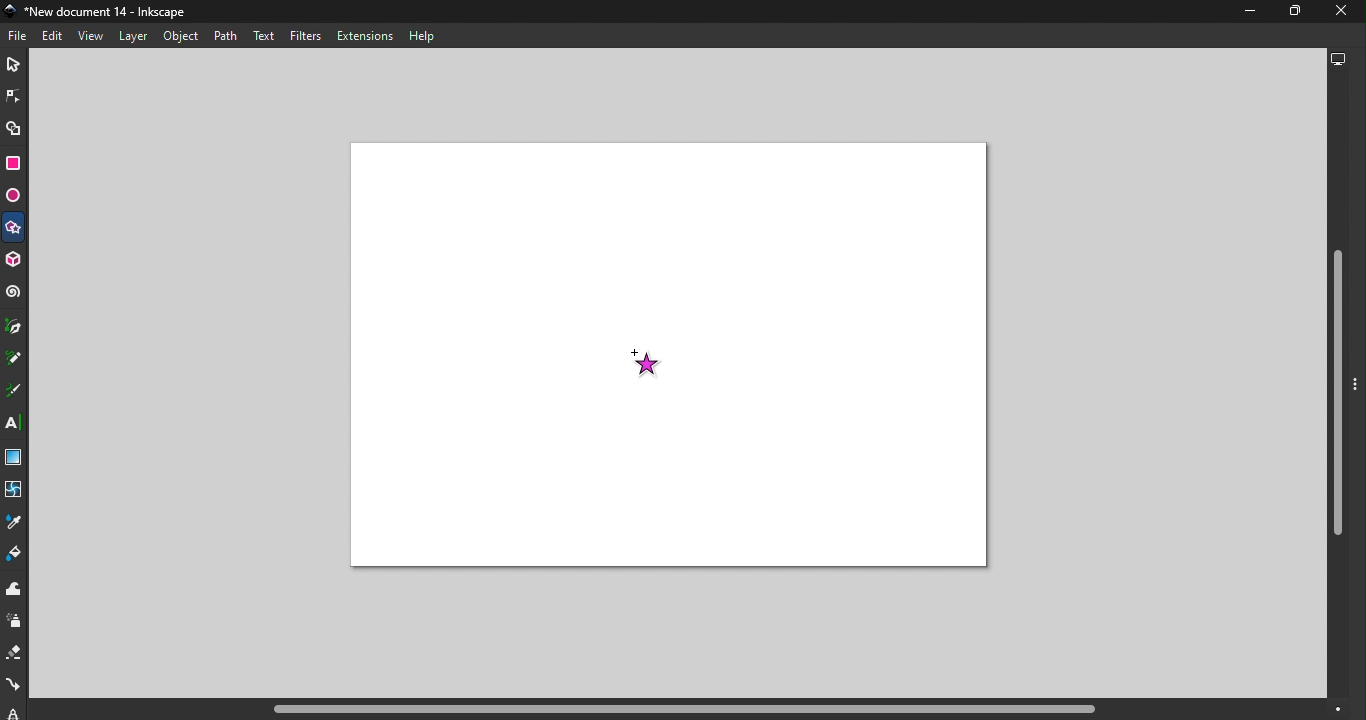  What do you see at coordinates (14, 230) in the screenshot?
I see `Star/Polygon` at bounding box center [14, 230].